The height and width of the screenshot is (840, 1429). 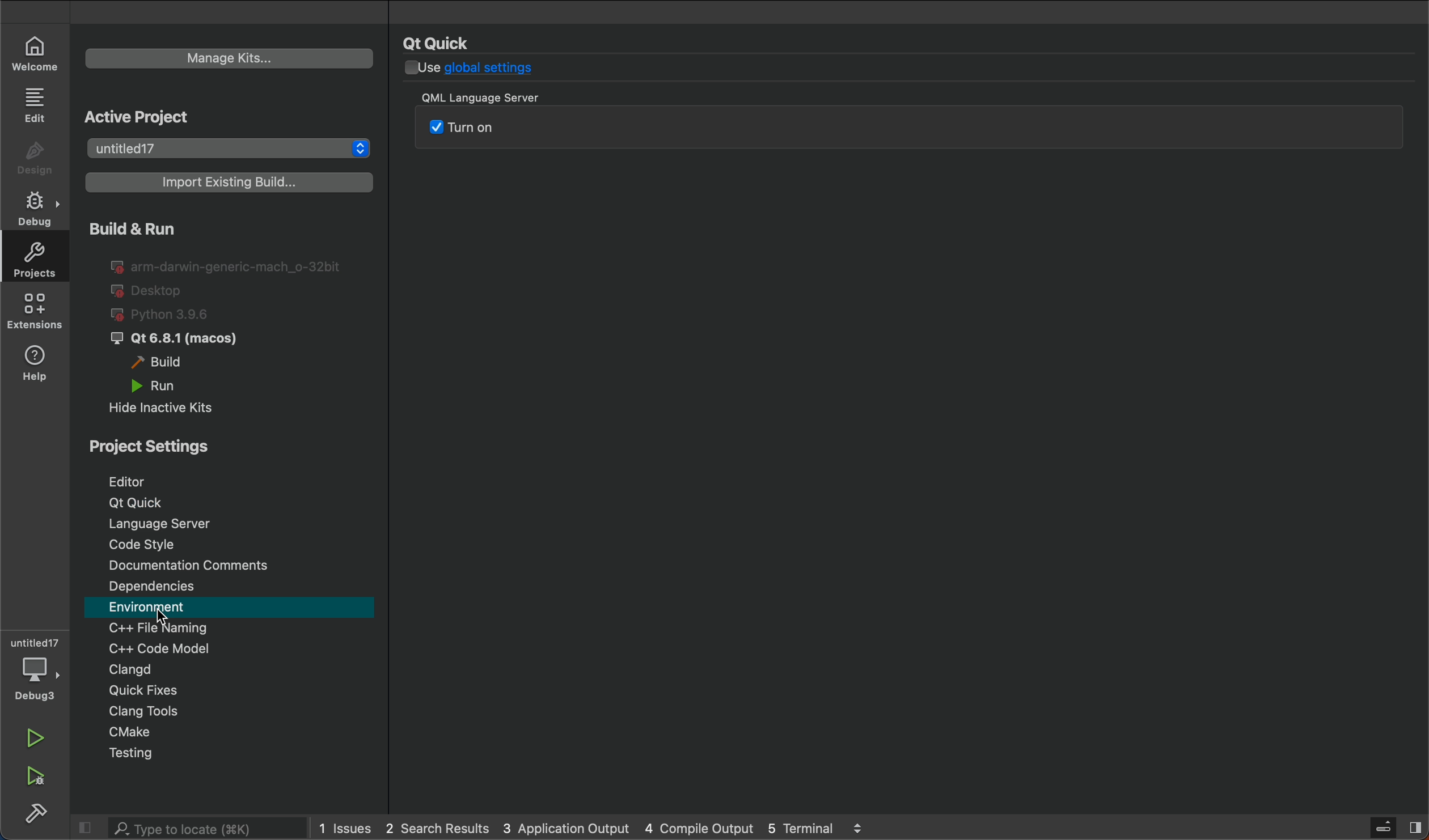 I want to click on Clangd, so click(x=226, y=669).